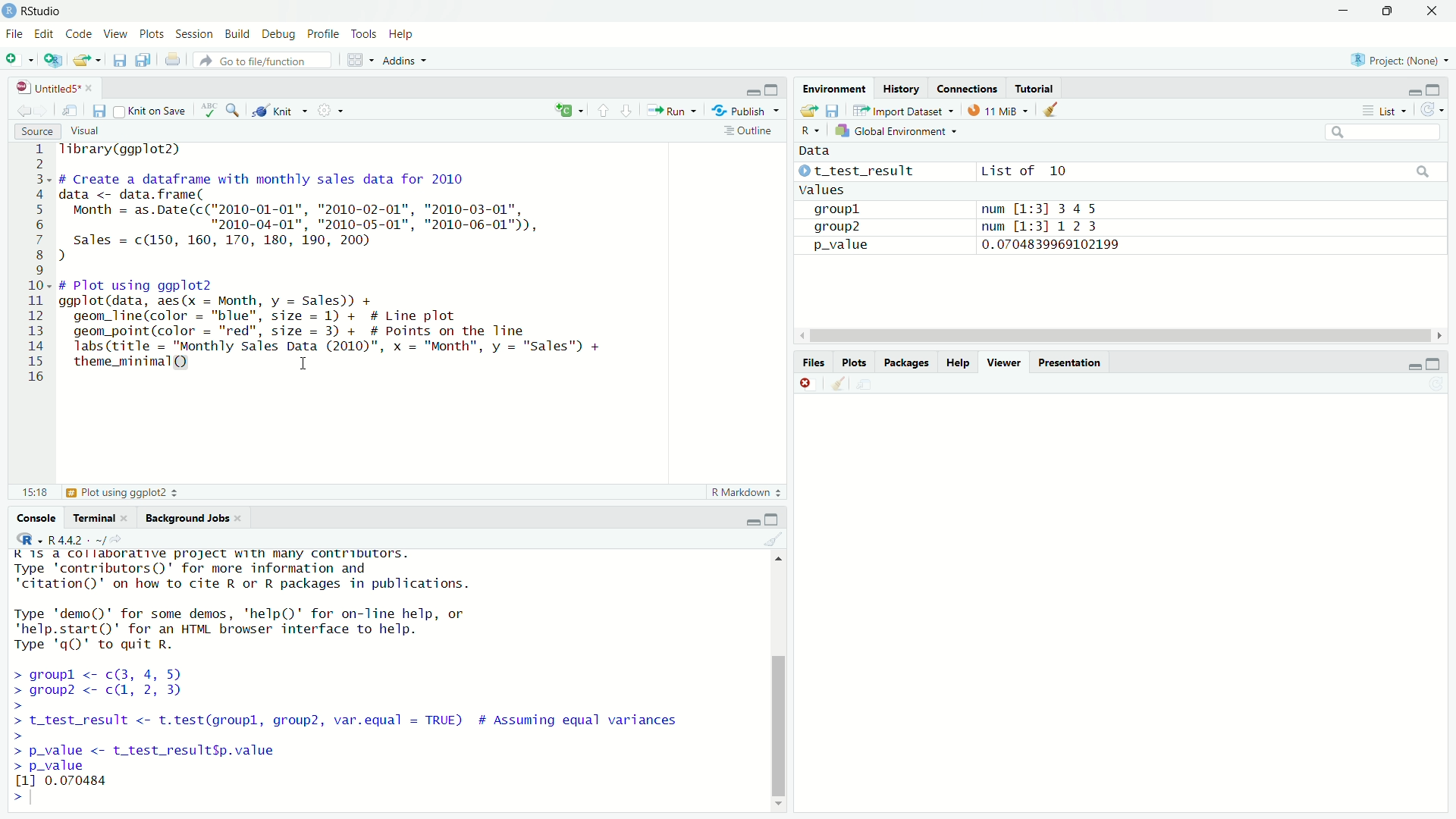 This screenshot has width=1456, height=819. What do you see at coordinates (26, 797) in the screenshot?
I see `prompt cursor` at bounding box center [26, 797].